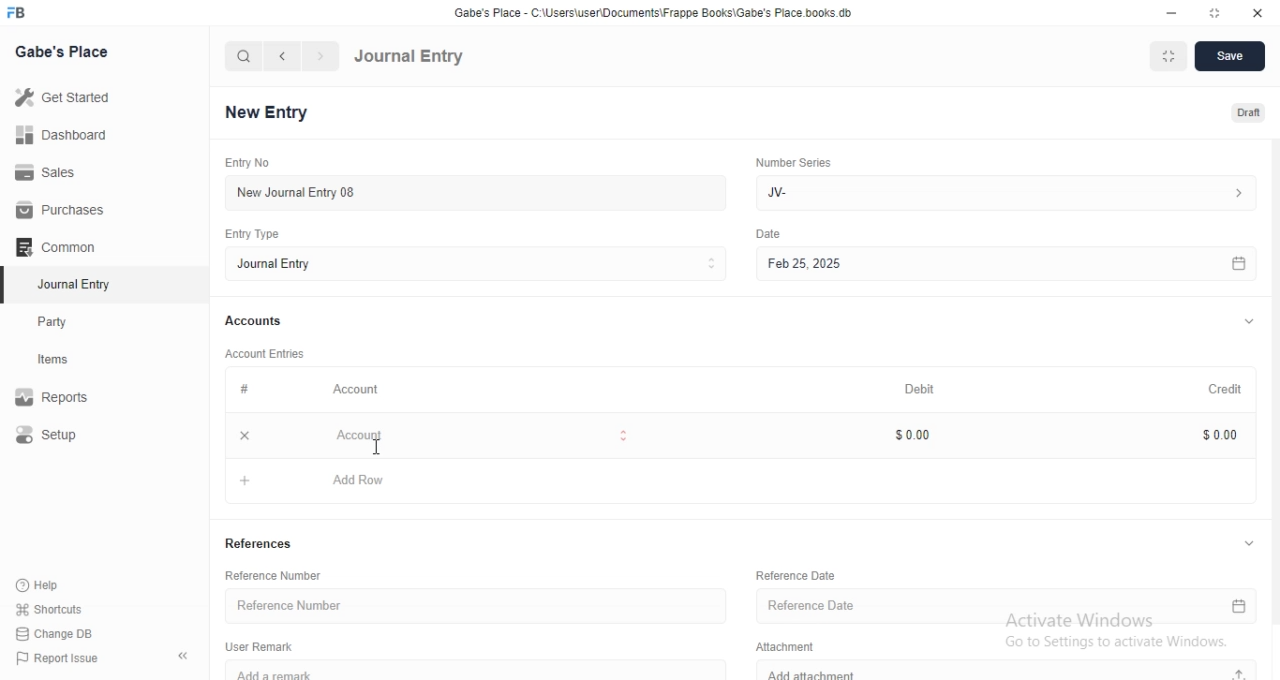  What do you see at coordinates (781, 647) in the screenshot?
I see `Attachment` at bounding box center [781, 647].